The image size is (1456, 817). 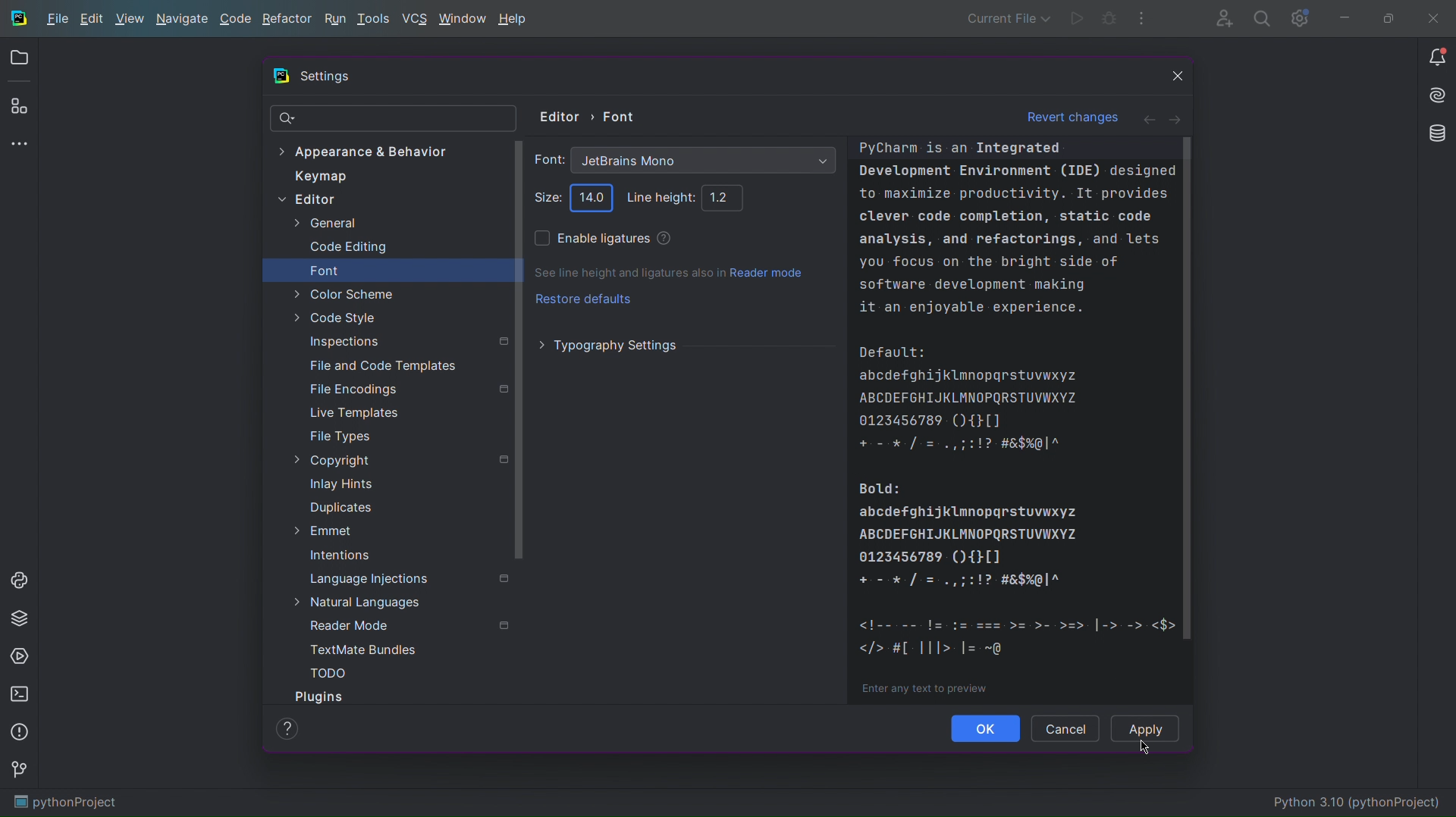 What do you see at coordinates (356, 603) in the screenshot?
I see `Natural Languages` at bounding box center [356, 603].